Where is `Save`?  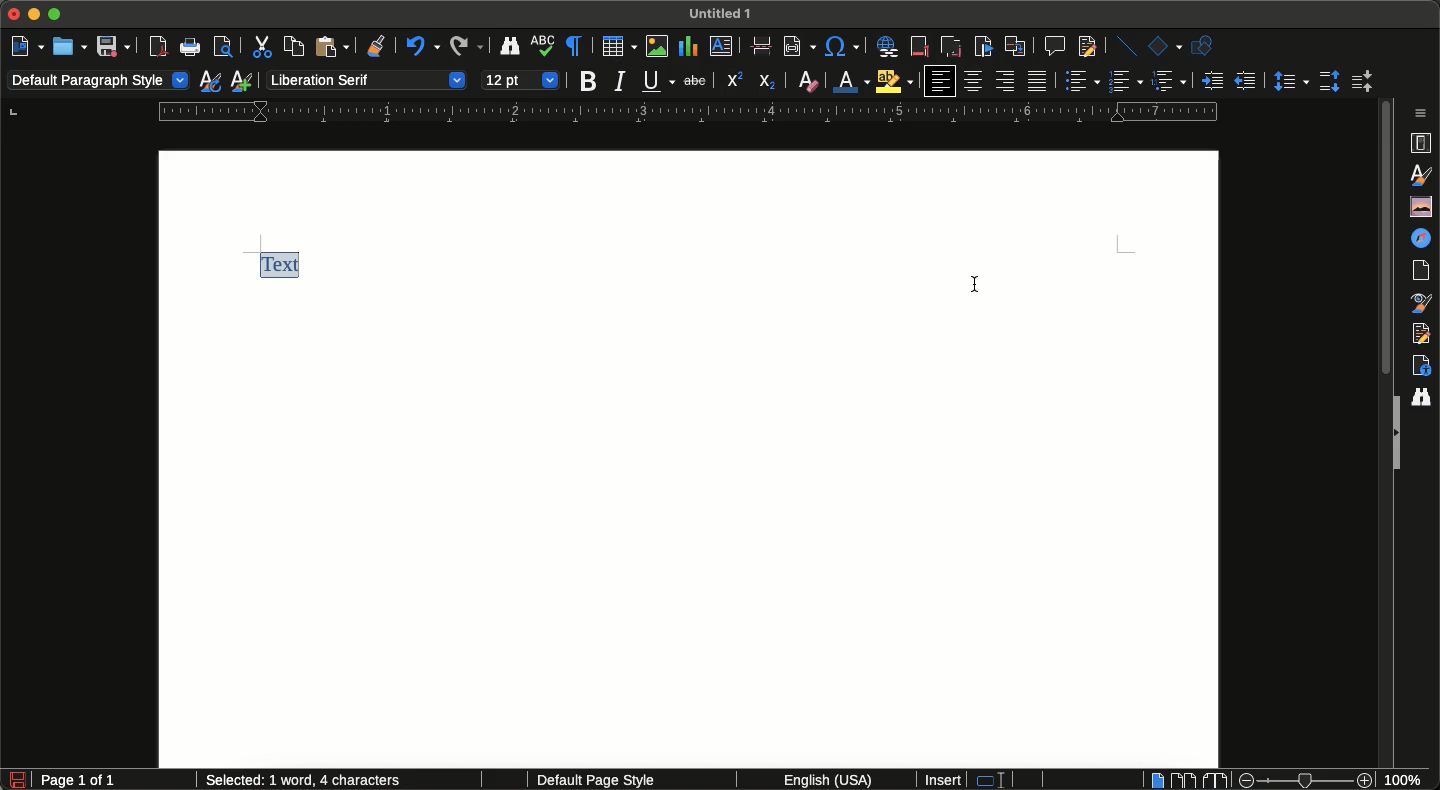 Save is located at coordinates (13, 778).